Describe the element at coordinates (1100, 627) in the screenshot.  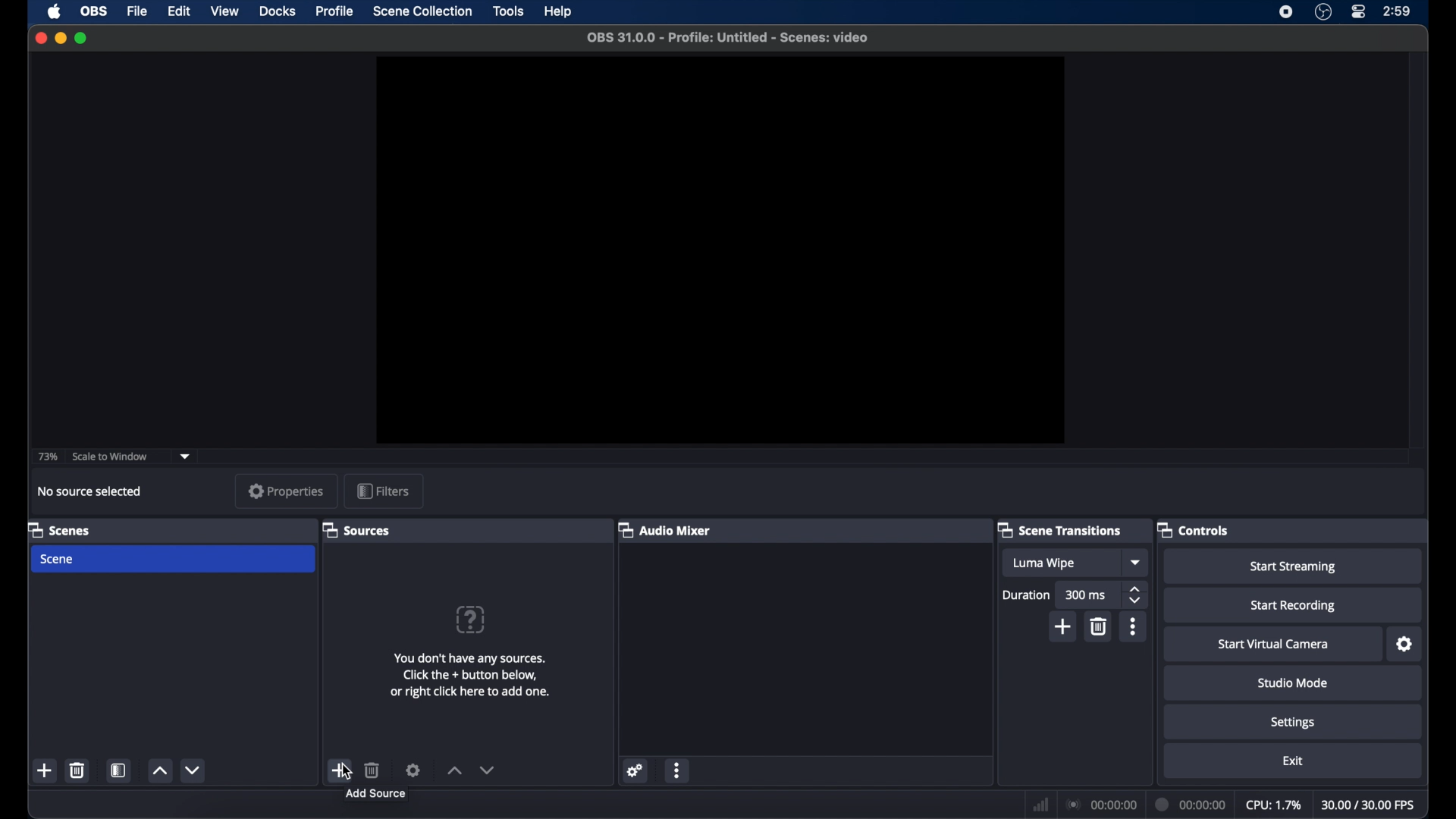
I see `delete` at that location.